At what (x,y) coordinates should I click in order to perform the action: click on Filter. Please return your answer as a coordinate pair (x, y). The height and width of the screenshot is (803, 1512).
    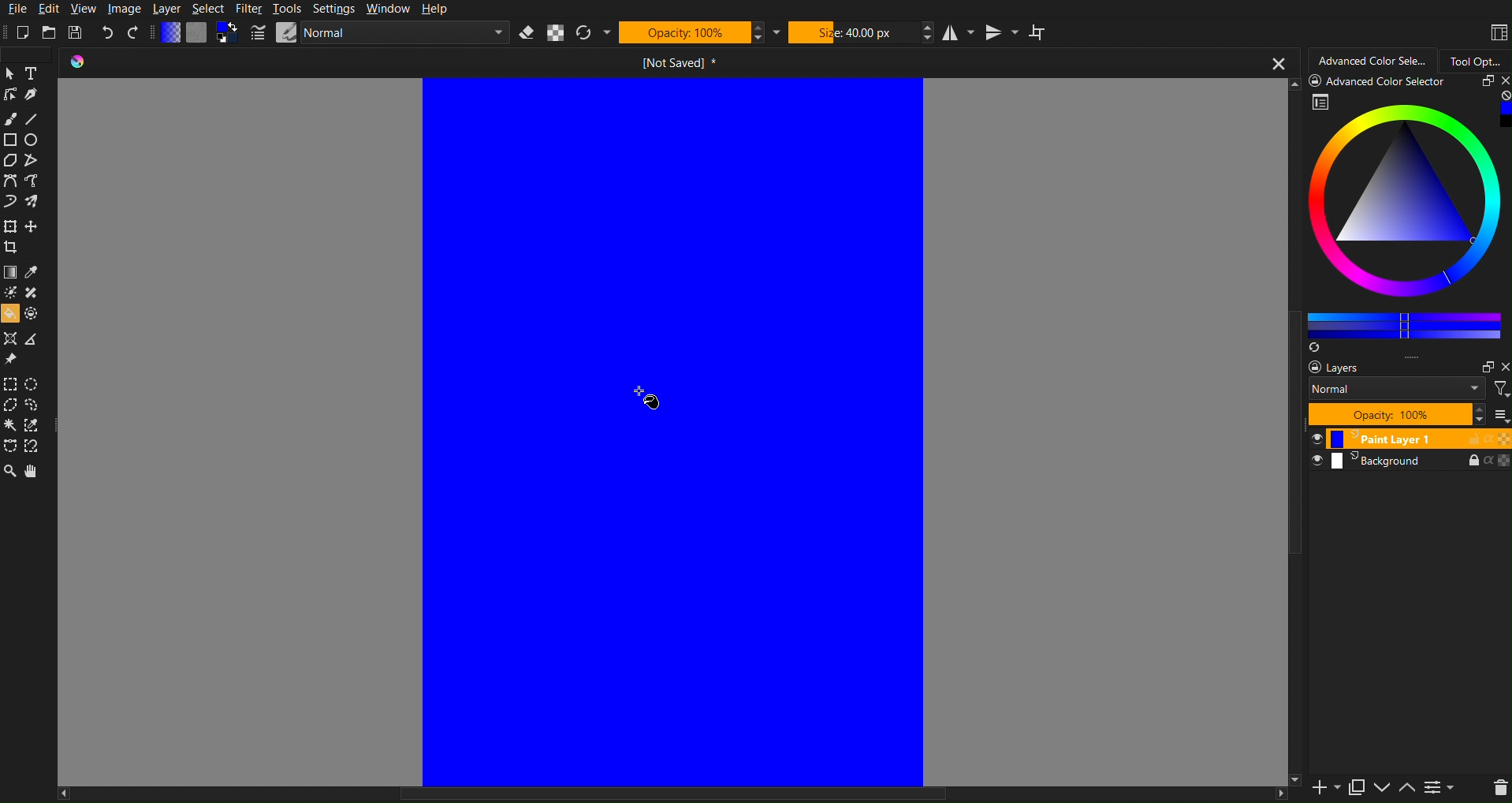
    Looking at the image, I should click on (1499, 387).